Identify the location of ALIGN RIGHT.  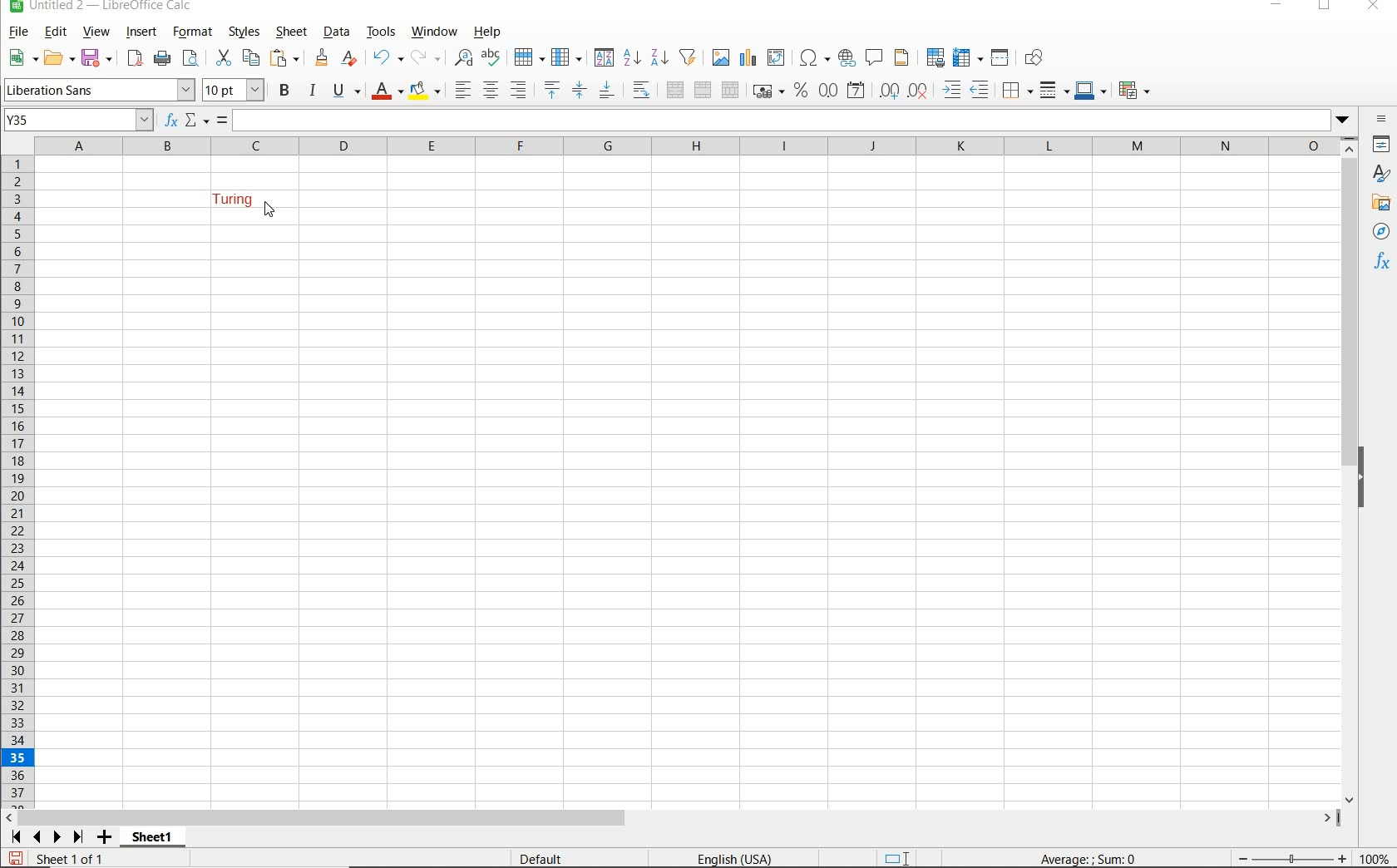
(518, 91).